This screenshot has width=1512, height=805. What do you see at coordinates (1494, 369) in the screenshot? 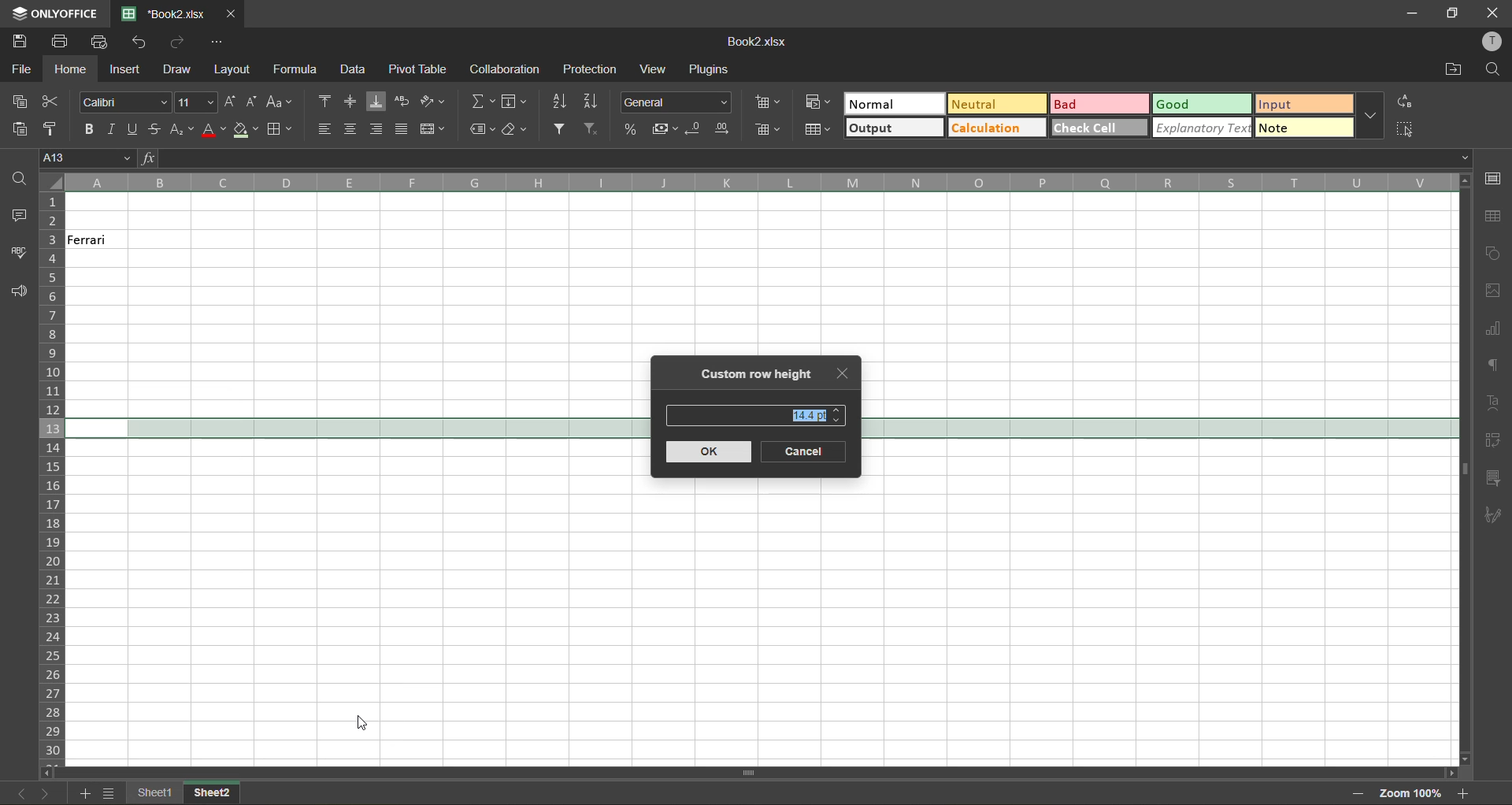
I see `paragraph` at bounding box center [1494, 369].